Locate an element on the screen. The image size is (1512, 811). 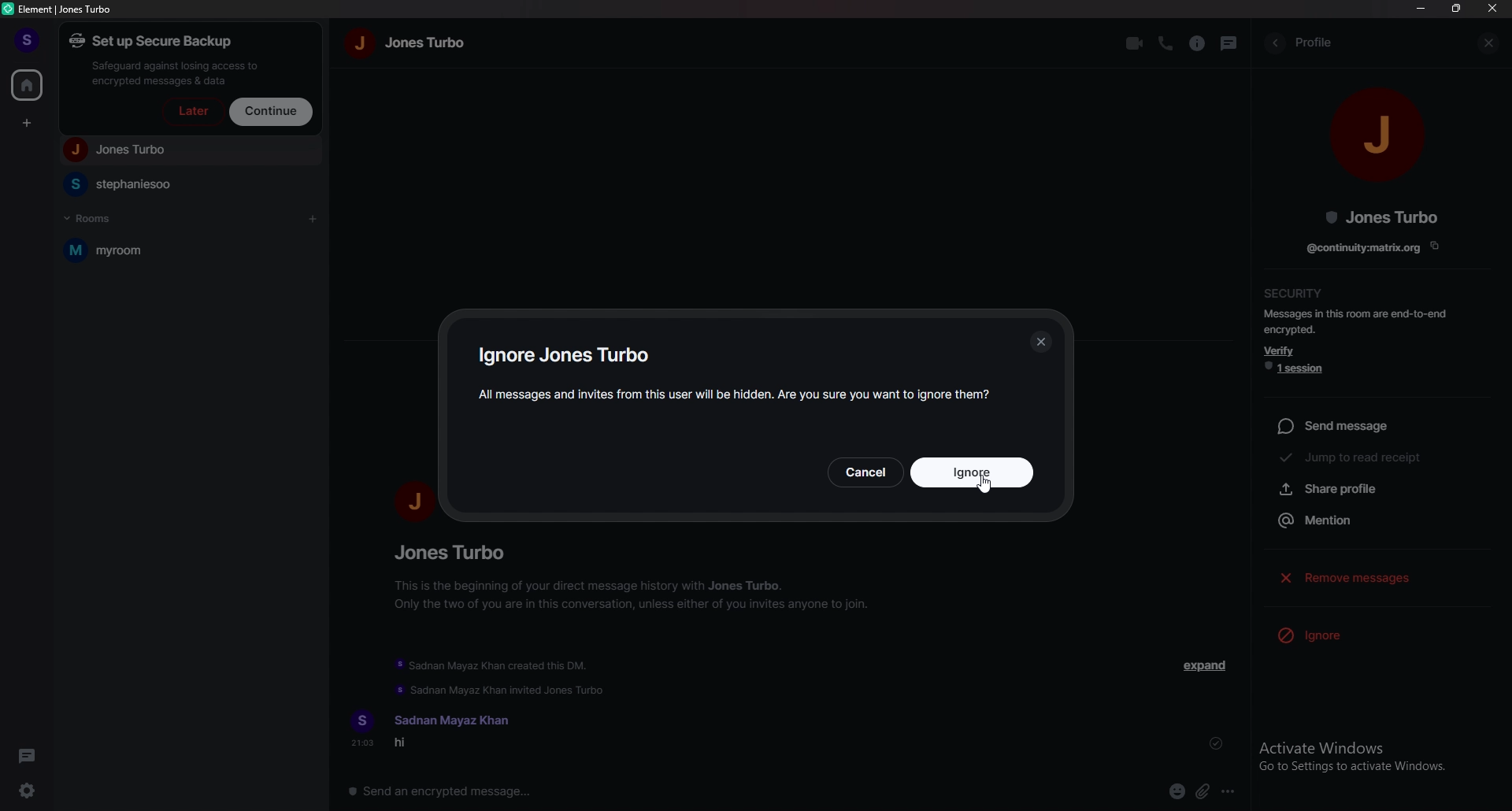
settings is located at coordinates (29, 791).